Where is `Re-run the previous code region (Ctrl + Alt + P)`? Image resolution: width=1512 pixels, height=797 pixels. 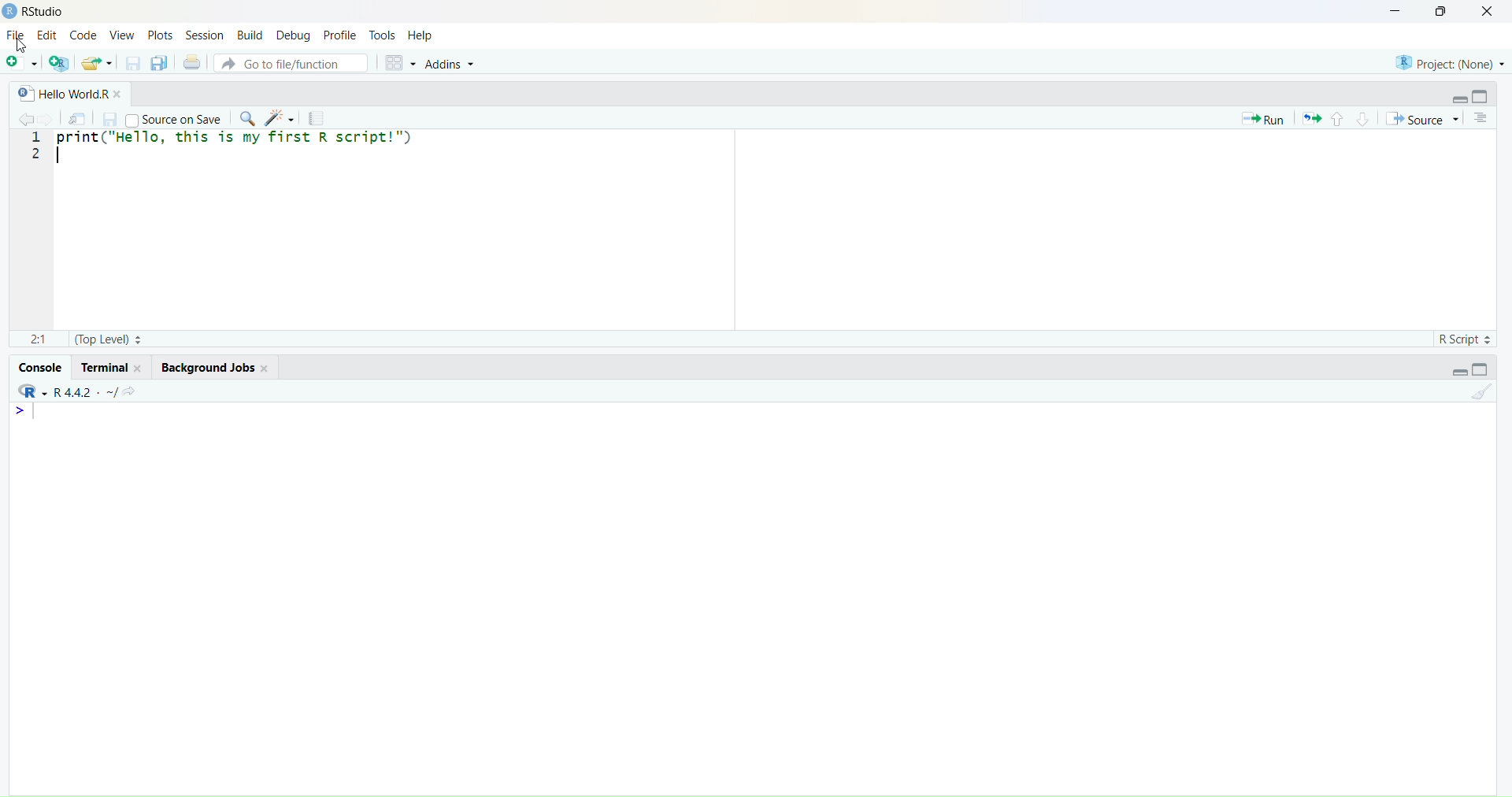 Re-run the previous code region (Ctrl + Alt + P) is located at coordinates (1311, 118).